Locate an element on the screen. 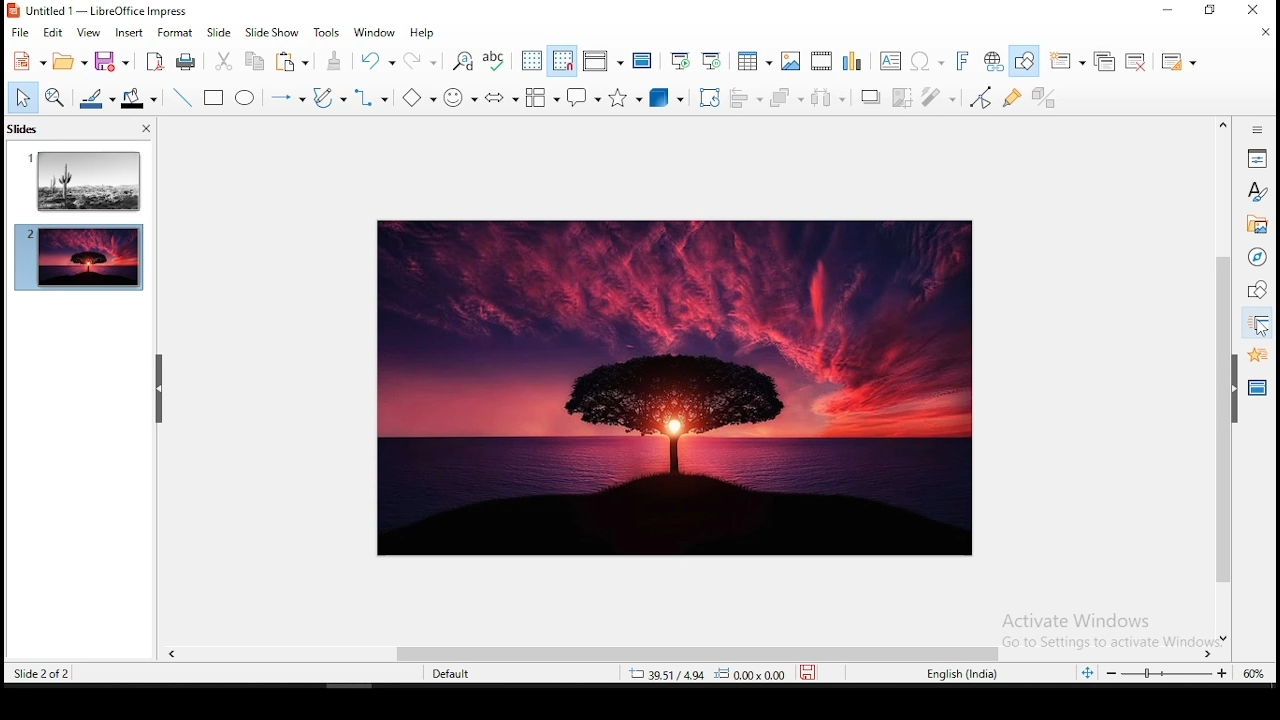 The height and width of the screenshot is (720, 1280). open is located at coordinates (70, 61).